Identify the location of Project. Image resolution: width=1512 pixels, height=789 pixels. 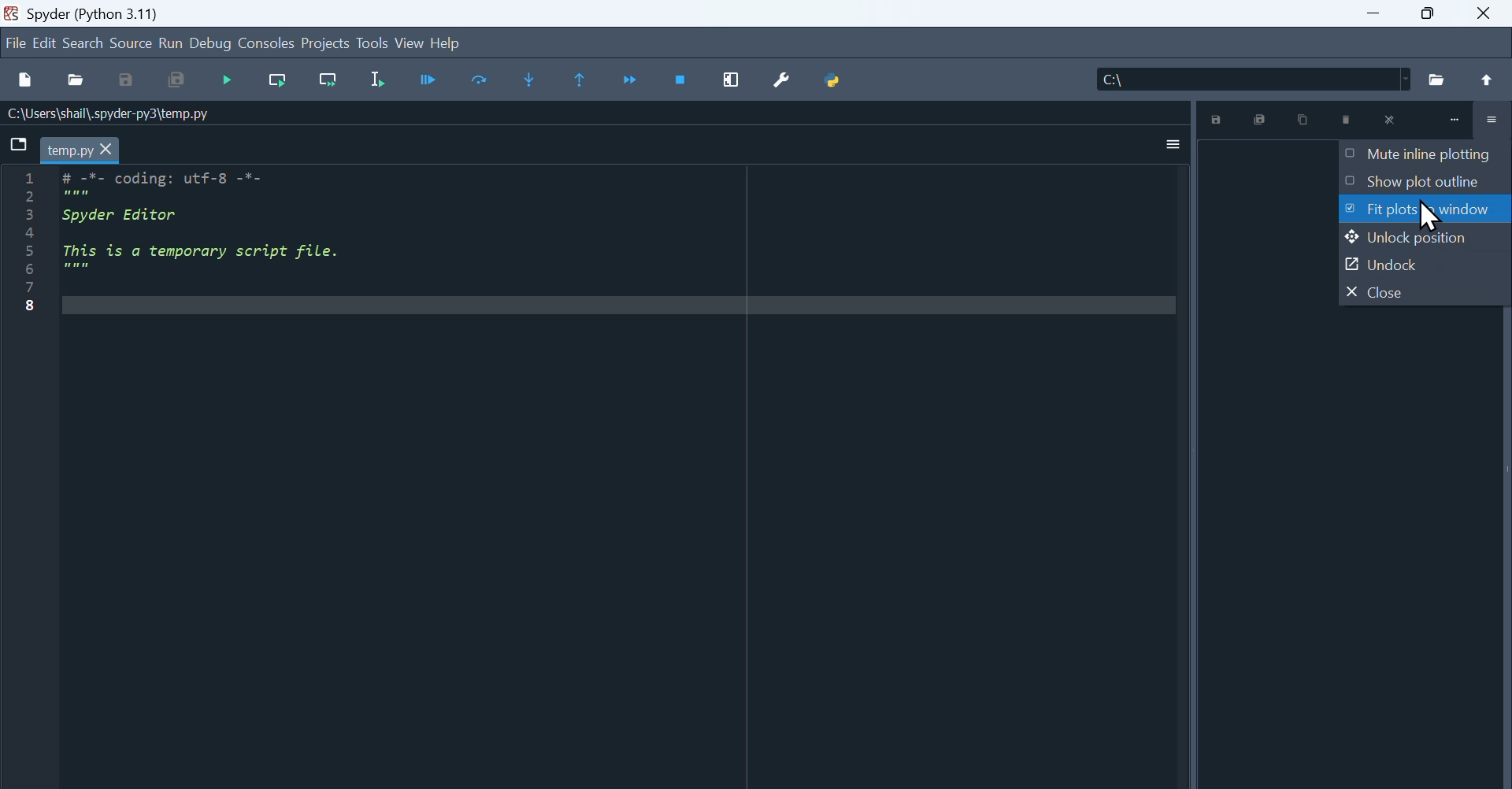
(326, 43).